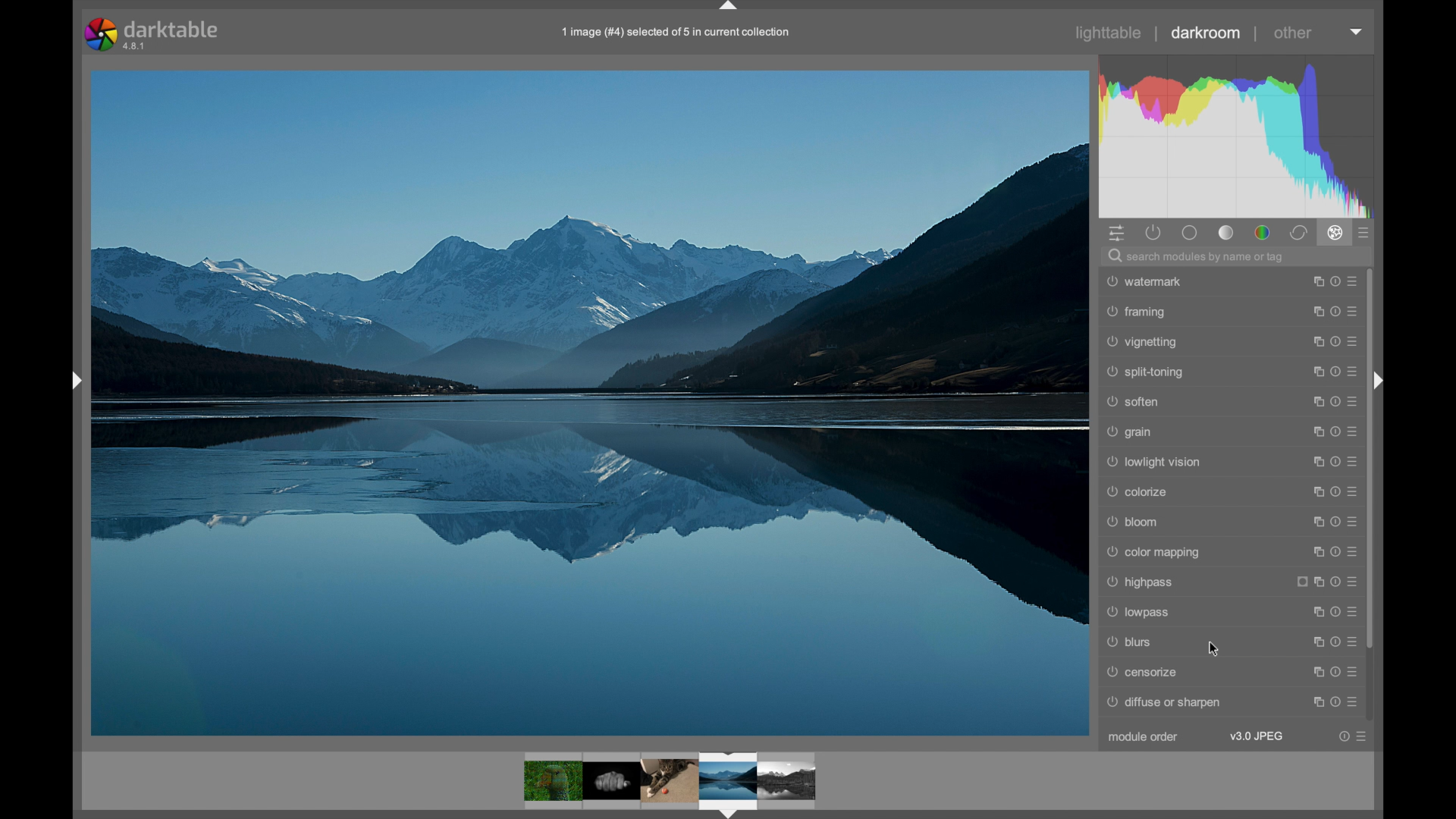  Describe the element at coordinates (1332, 462) in the screenshot. I see `help` at that location.